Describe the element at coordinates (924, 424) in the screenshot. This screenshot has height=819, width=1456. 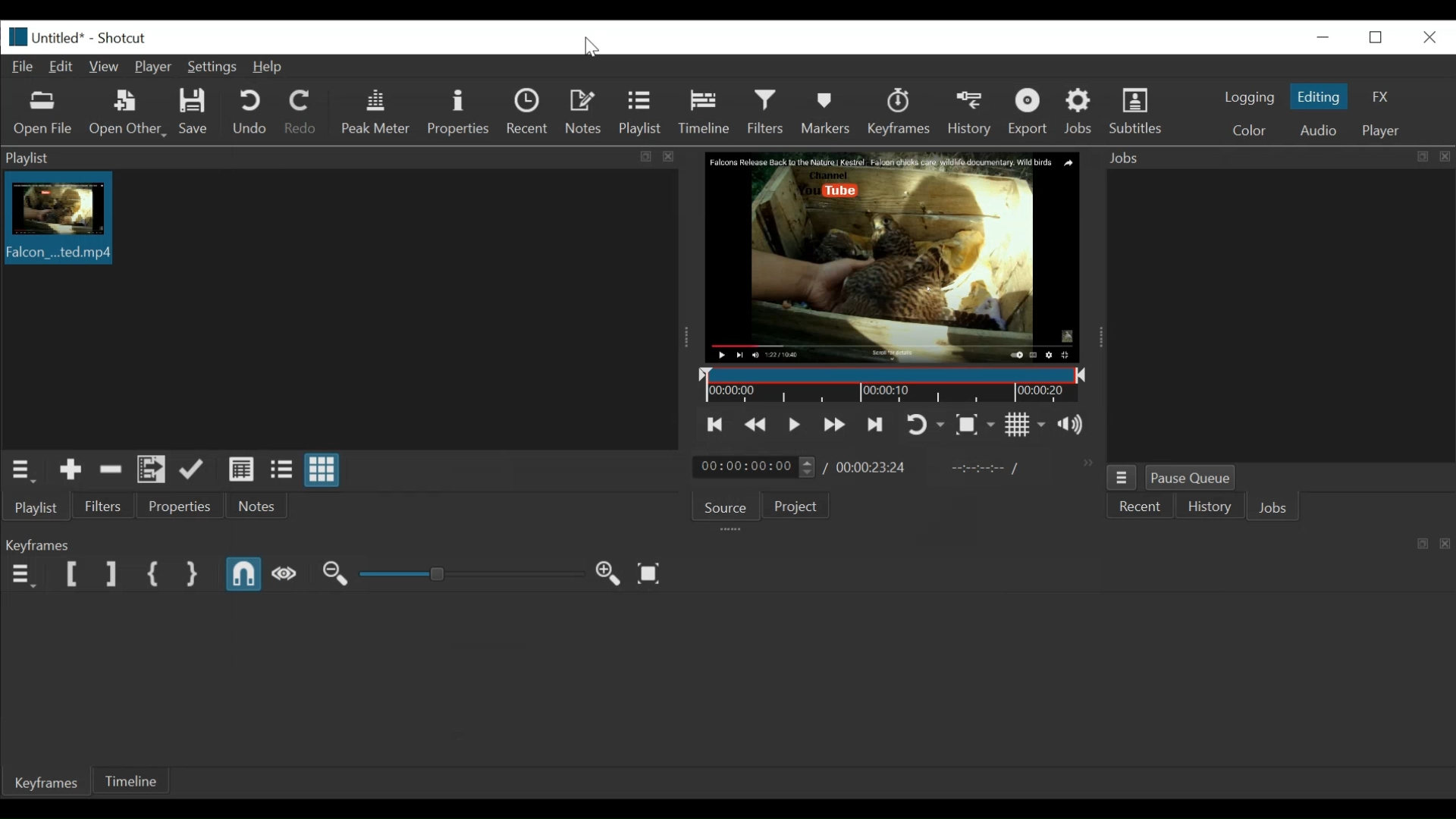
I see `Toggle Zoom` at that location.